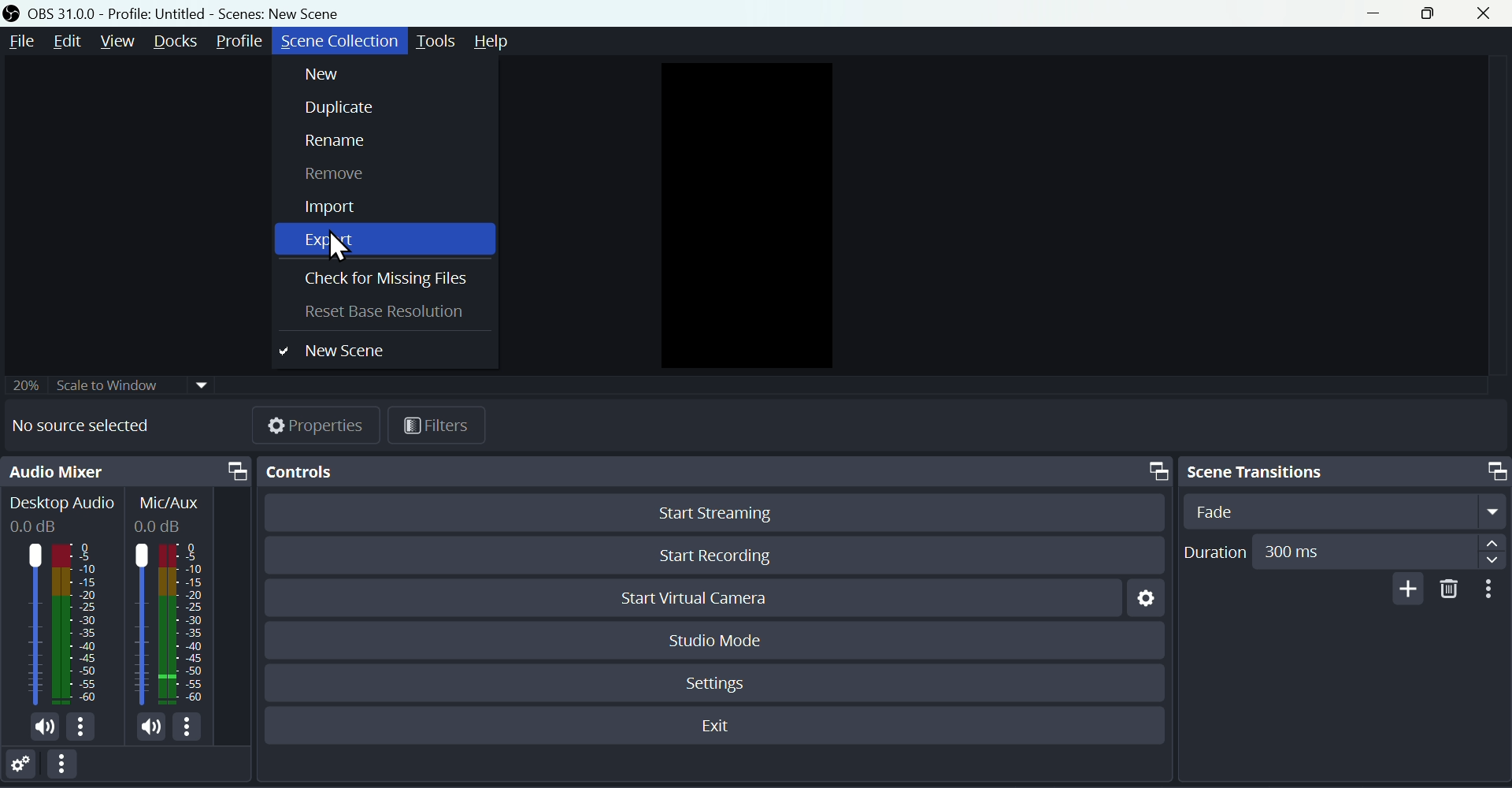  What do you see at coordinates (345, 350) in the screenshot?
I see `New scene` at bounding box center [345, 350].